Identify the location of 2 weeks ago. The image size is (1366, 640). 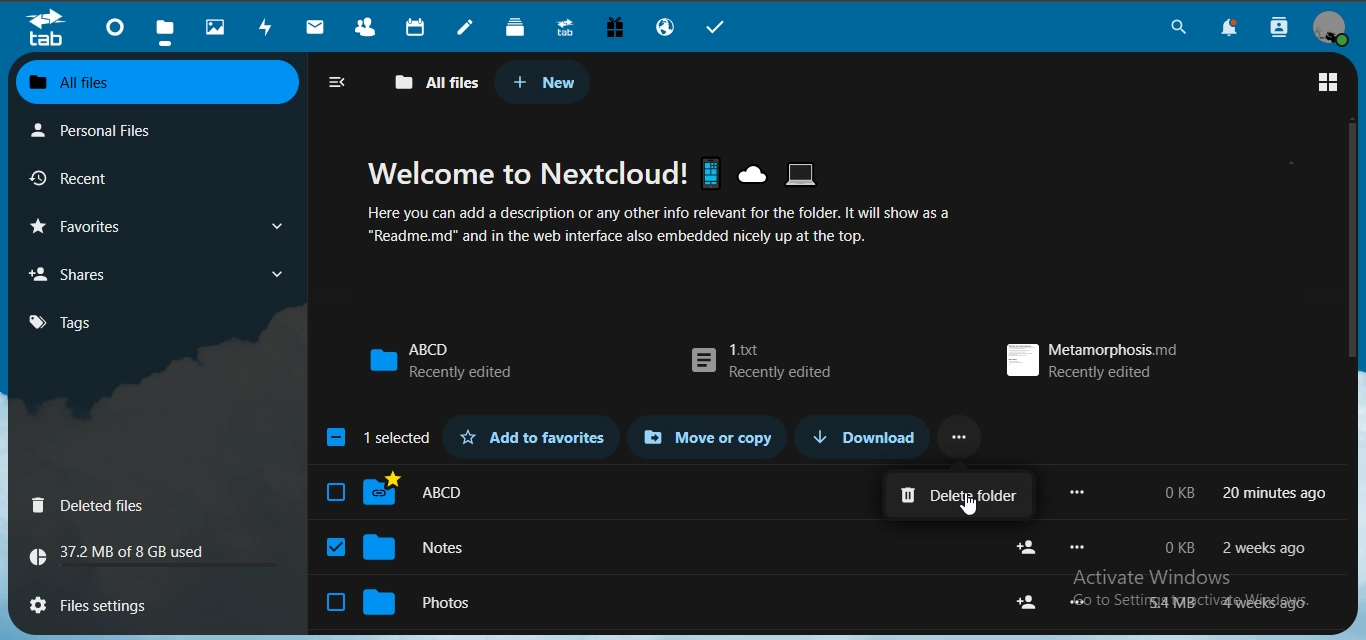
(1267, 549).